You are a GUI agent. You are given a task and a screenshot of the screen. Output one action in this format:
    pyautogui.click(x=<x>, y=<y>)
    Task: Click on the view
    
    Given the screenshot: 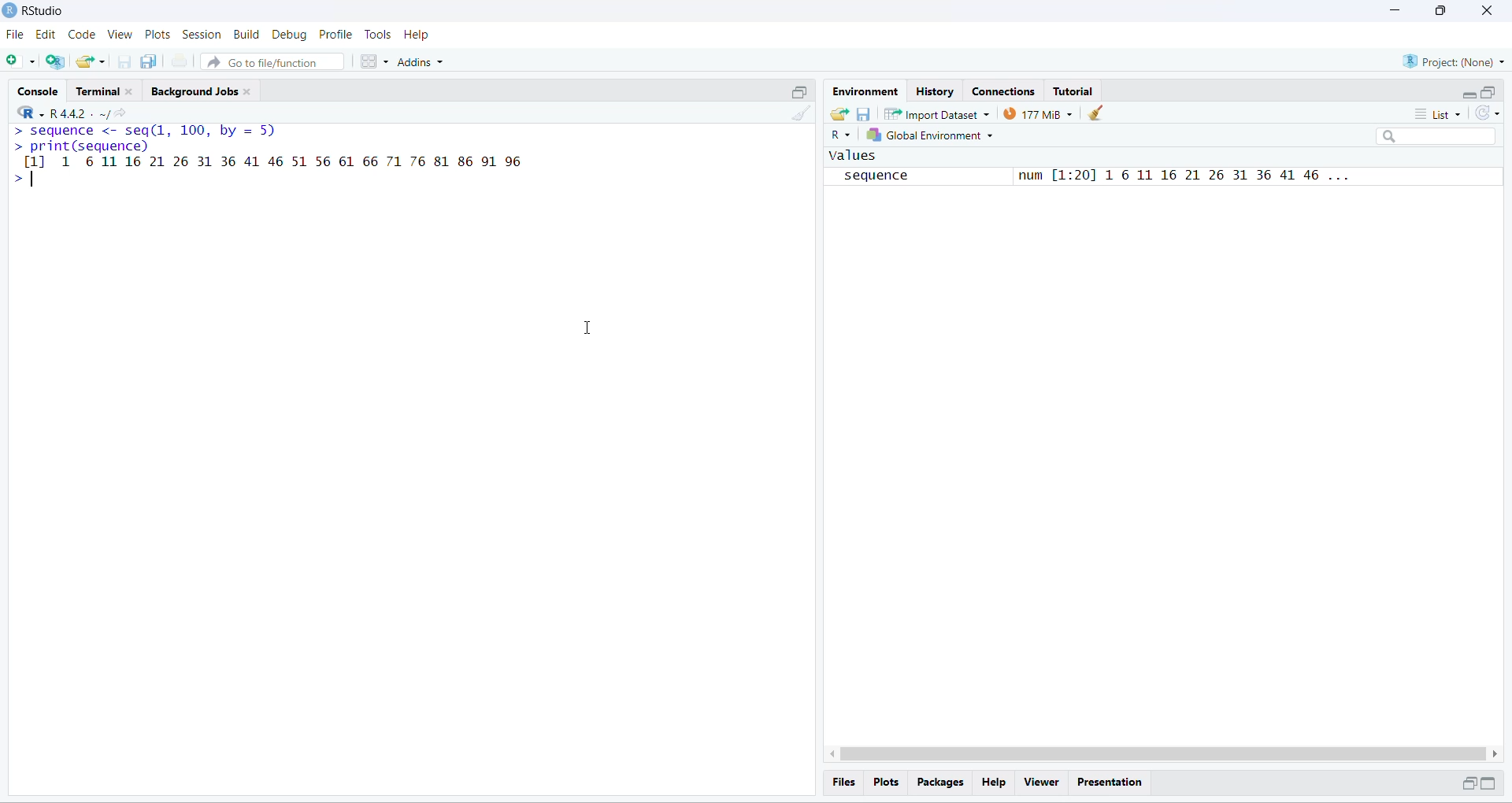 What is the action you would take?
    pyautogui.click(x=120, y=34)
    